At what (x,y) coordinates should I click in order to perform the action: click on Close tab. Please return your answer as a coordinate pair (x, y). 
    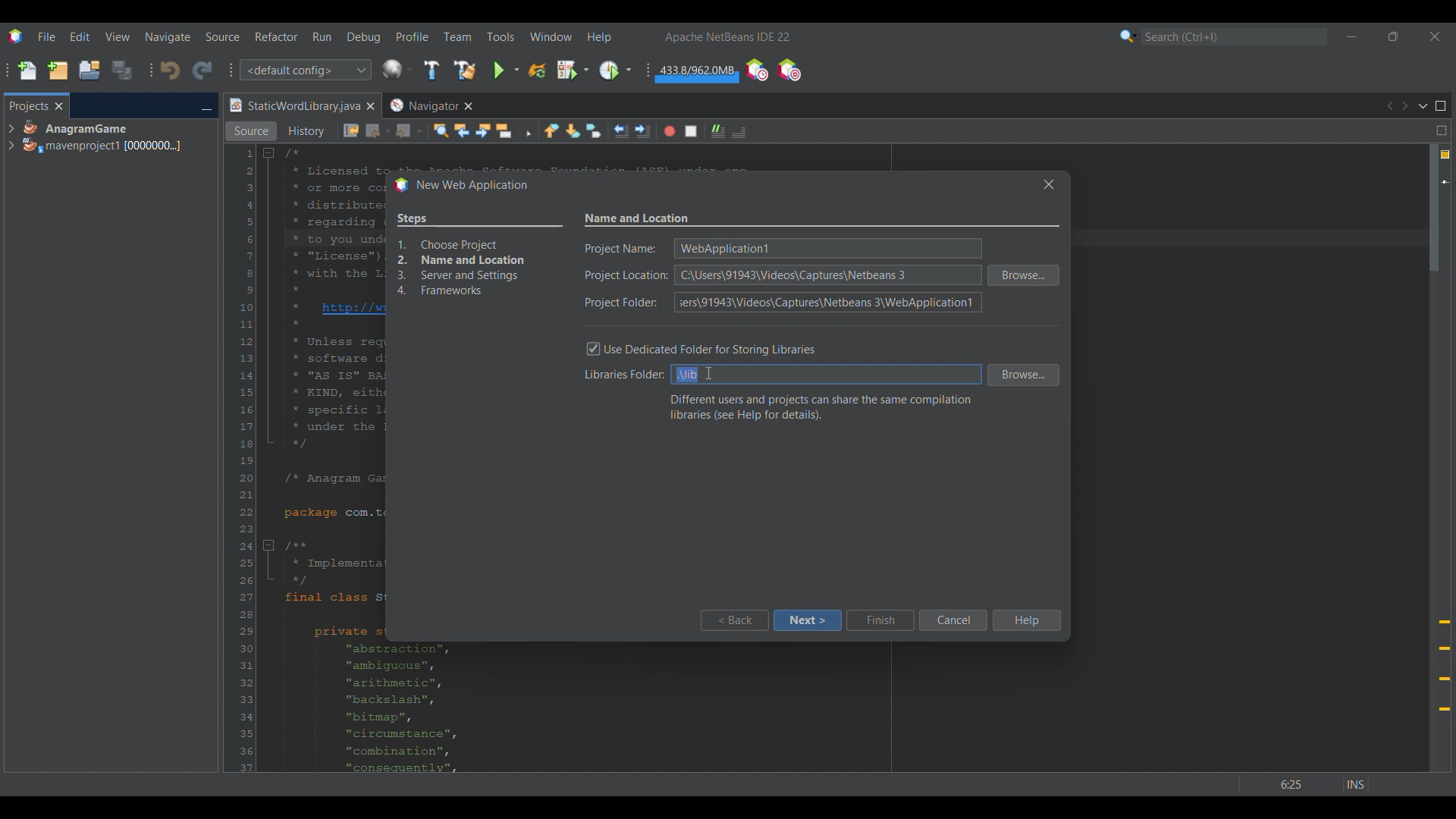
    Looking at the image, I should click on (59, 106).